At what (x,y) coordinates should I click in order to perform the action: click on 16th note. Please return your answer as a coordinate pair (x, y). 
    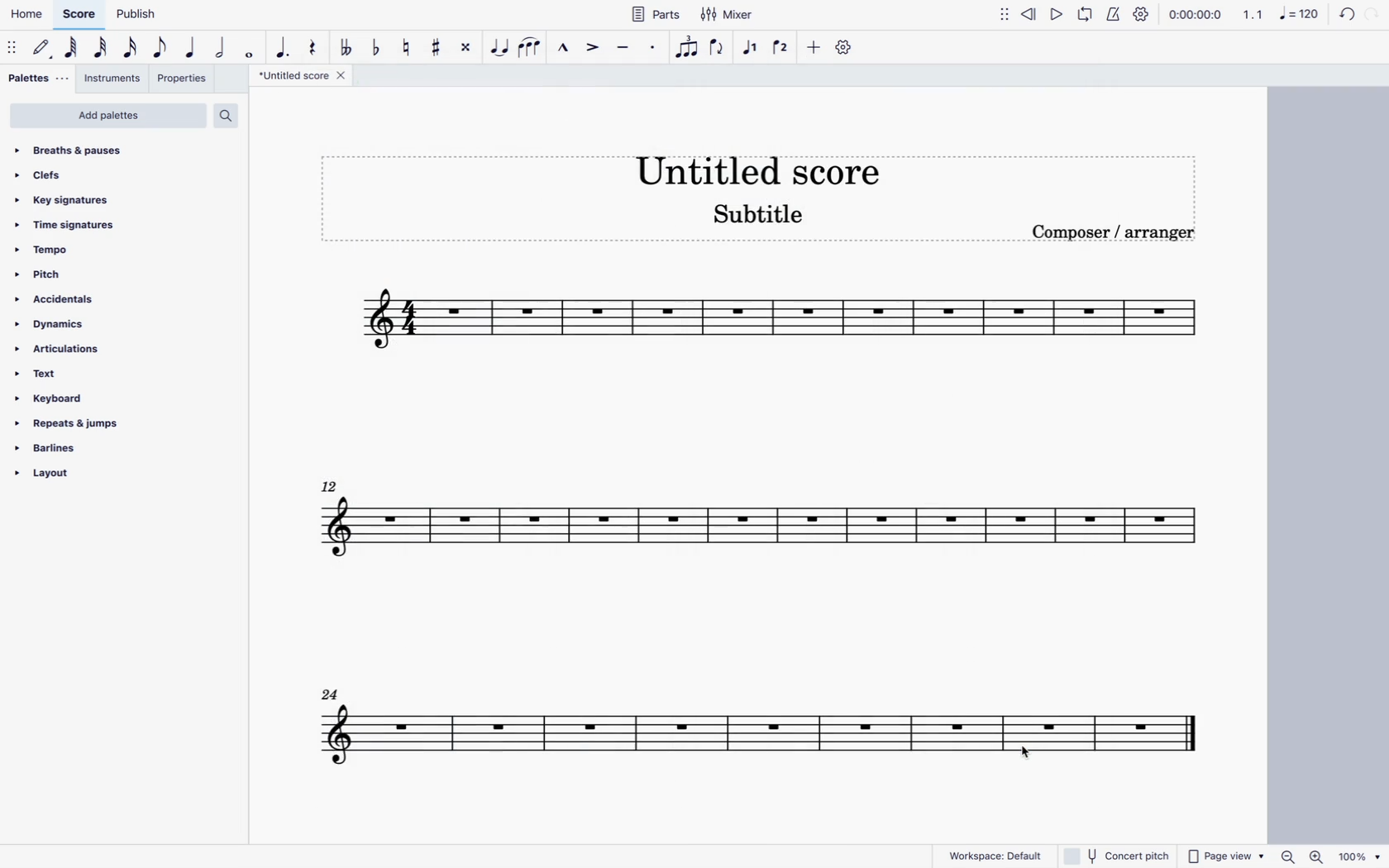
    Looking at the image, I should click on (133, 51).